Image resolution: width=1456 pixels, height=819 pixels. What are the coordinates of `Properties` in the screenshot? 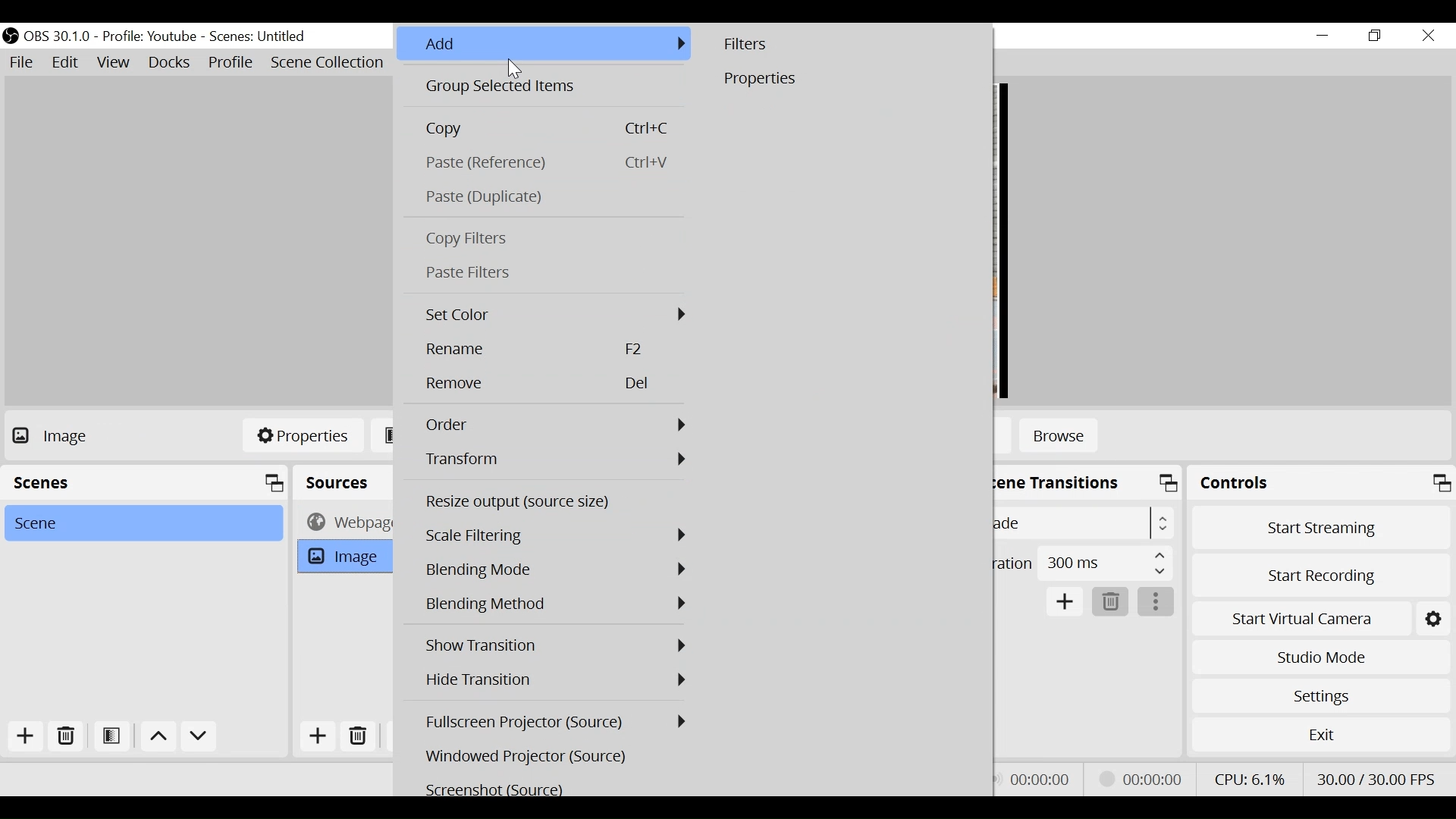 It's located at (846, 80).